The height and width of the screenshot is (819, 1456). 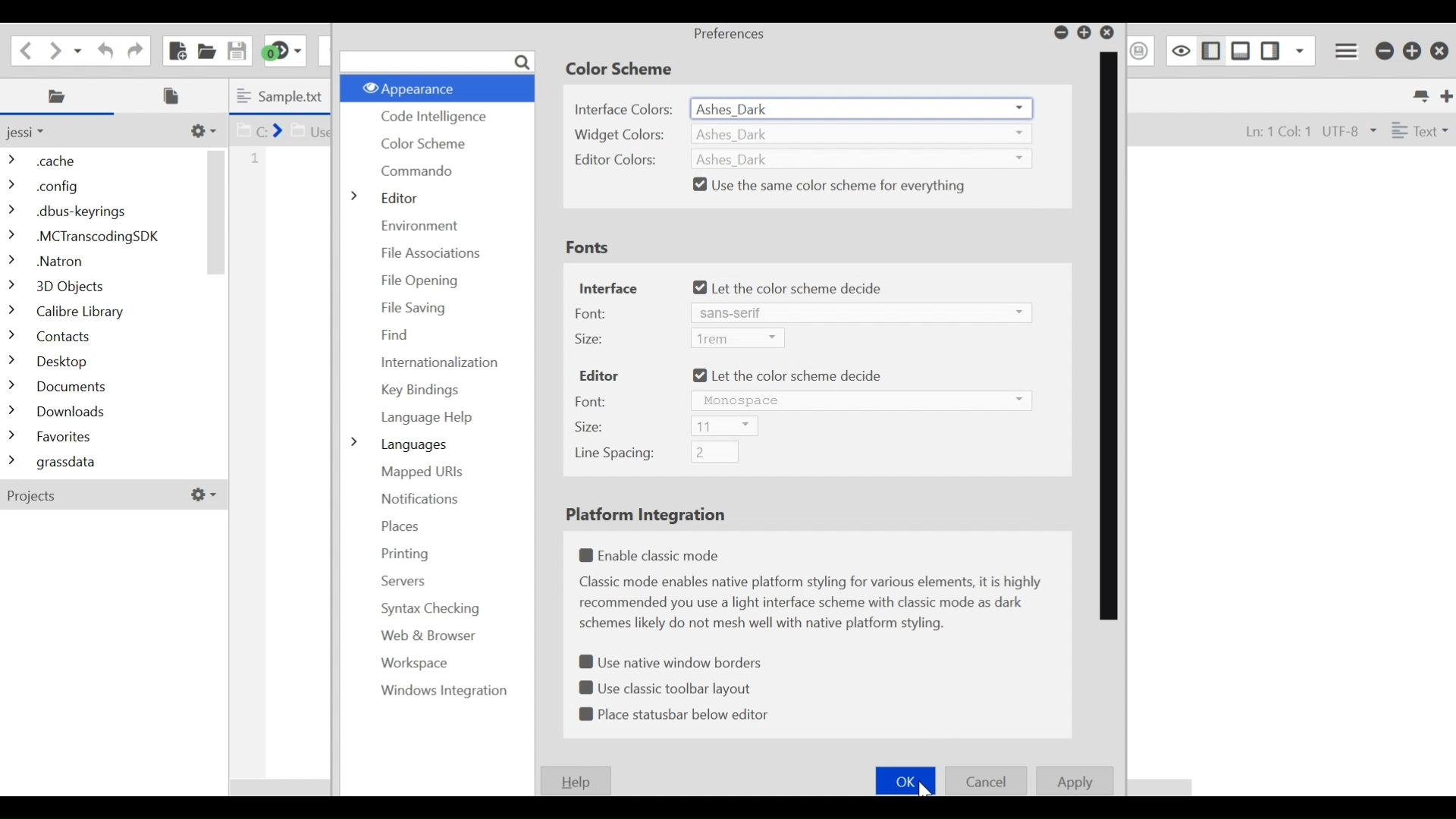 What do you see at coordinates (1444, 94) in the screenshot?
I see `New Tab` at bounding box center [1444, 94].